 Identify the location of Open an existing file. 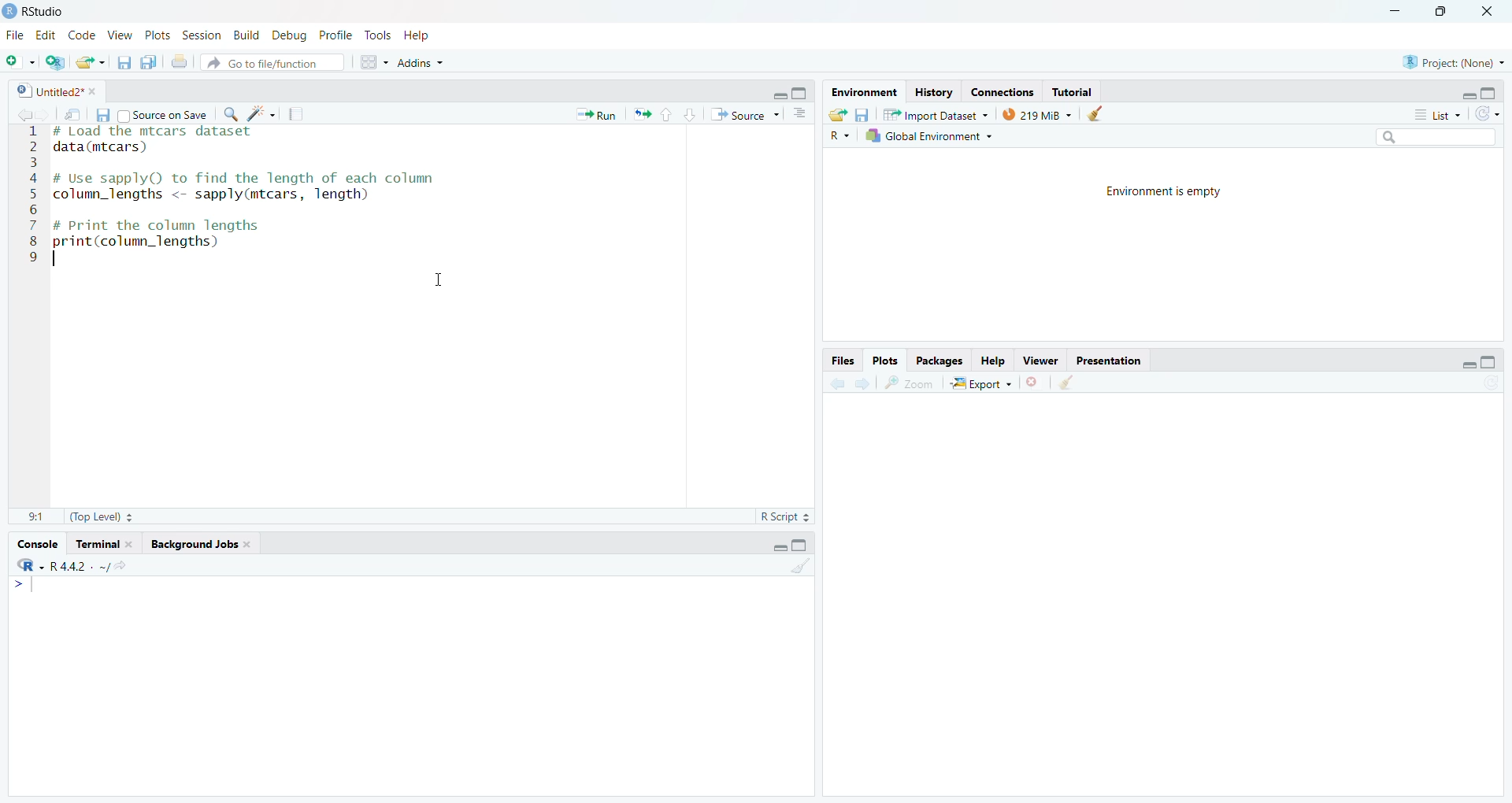
(90, 62).